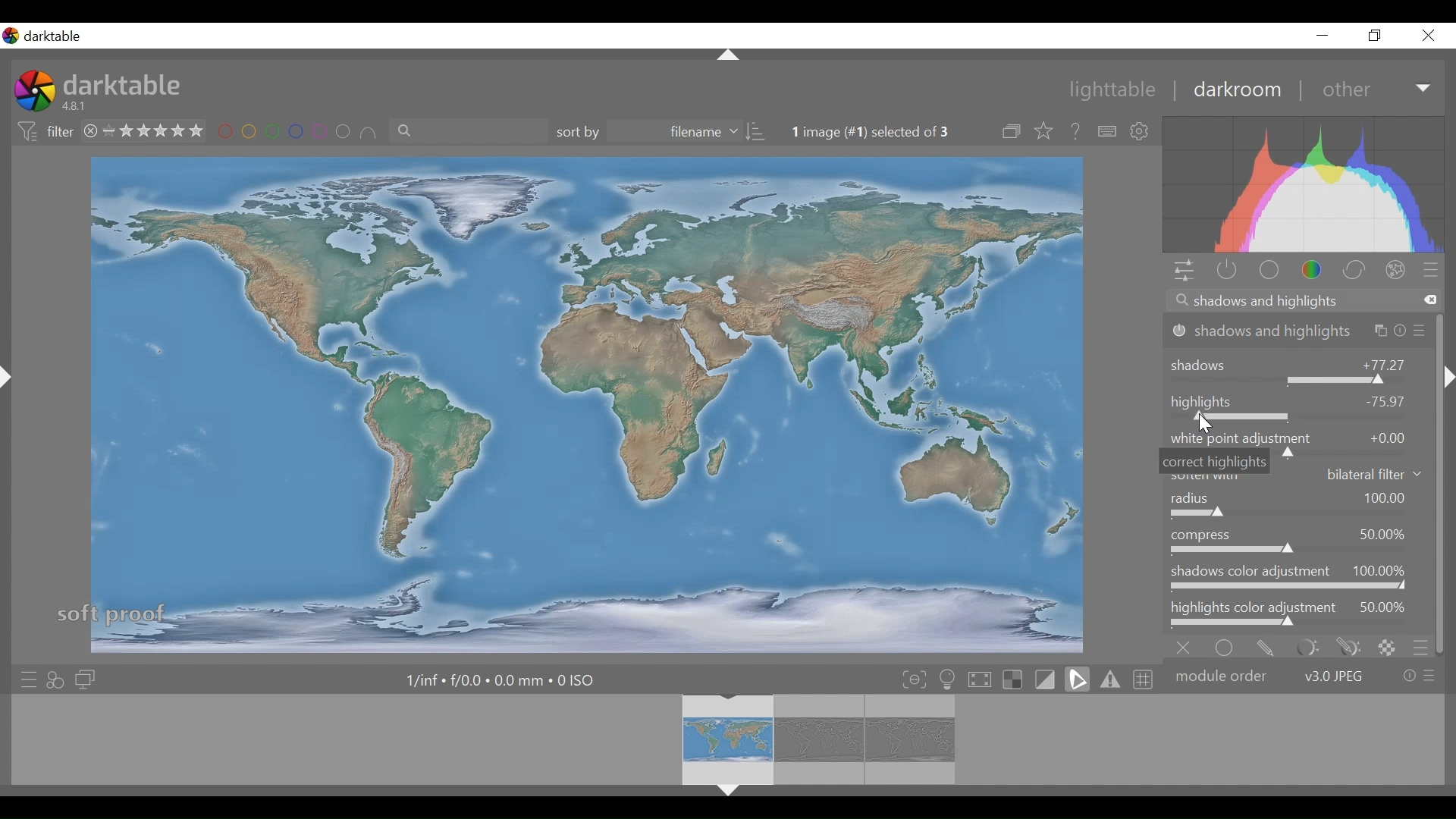  Describe the element at coordinates (1013, 132) in the screenshot. I see `collapse grouped image` at that location.